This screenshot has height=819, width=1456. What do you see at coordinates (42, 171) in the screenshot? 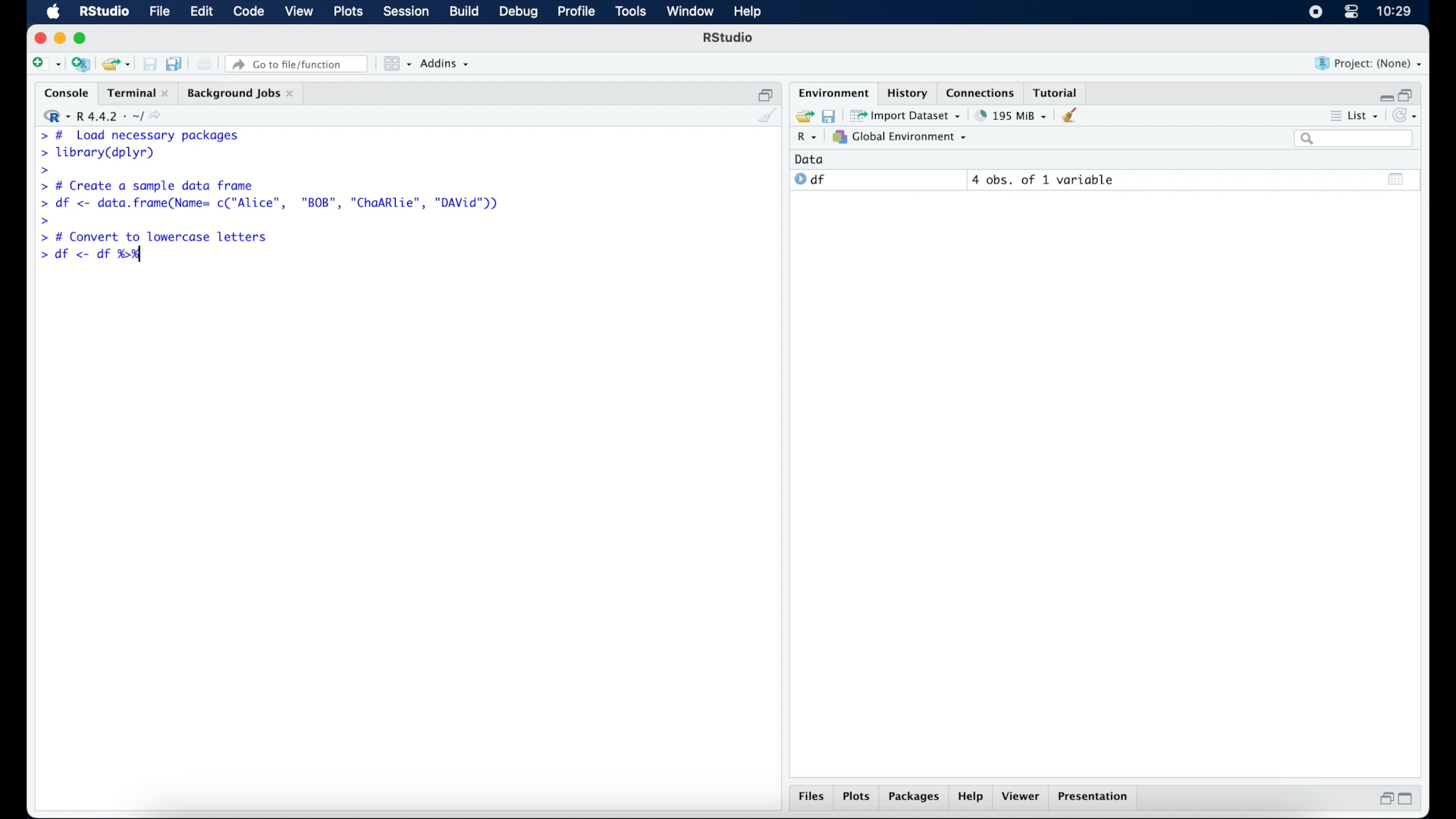
I see `command prompt` at bounding box center [42, 171].